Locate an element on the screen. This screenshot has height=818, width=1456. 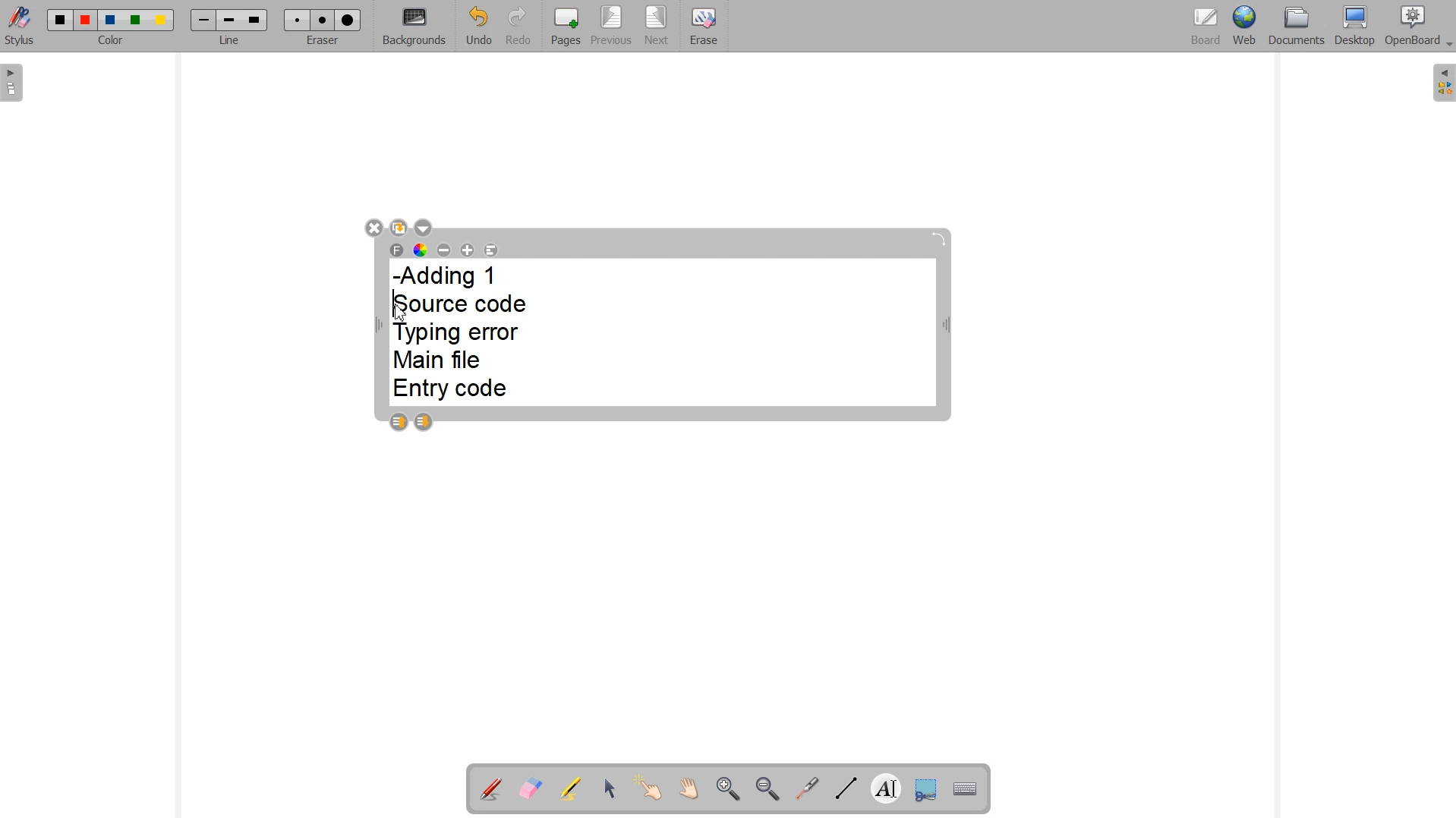
Virtual laser pointer is located at coordinates (807, 788).